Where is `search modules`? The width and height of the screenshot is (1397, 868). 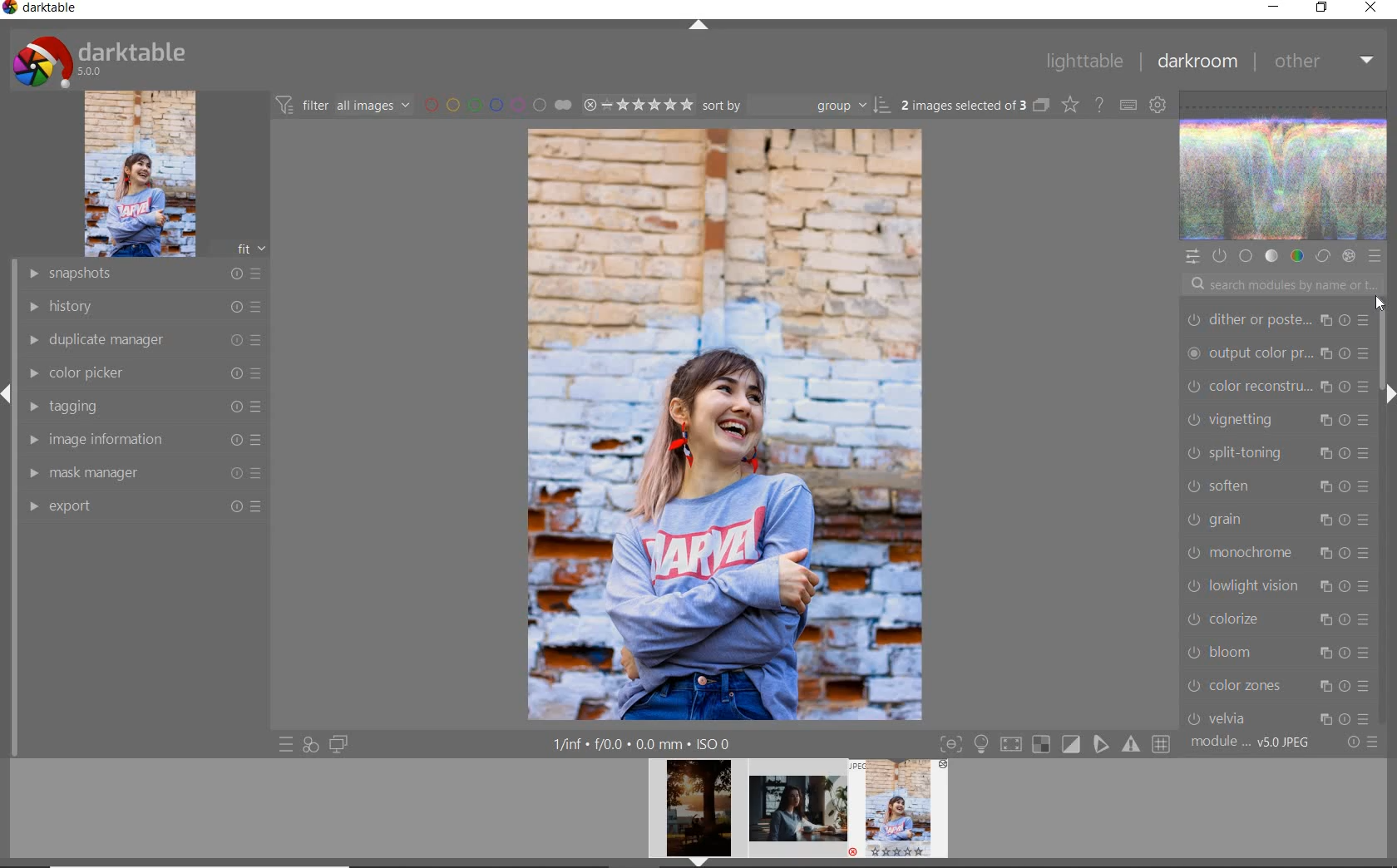 search modules is located at coordinates (1279, 287).